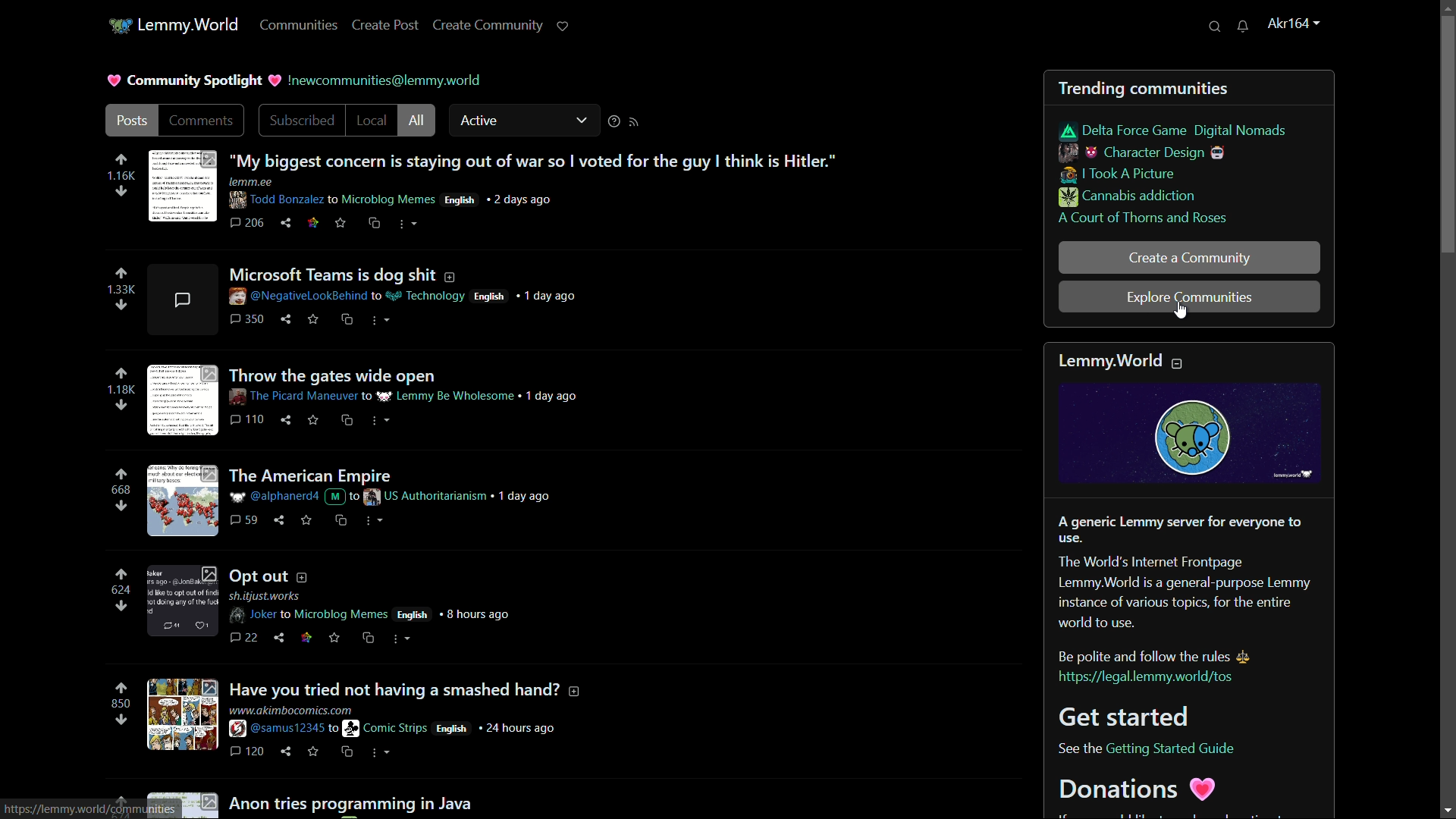 The image size is (1456, 819). Describe the element at coordinates (1154, 678) in the screenshot. I see `link` at that location.